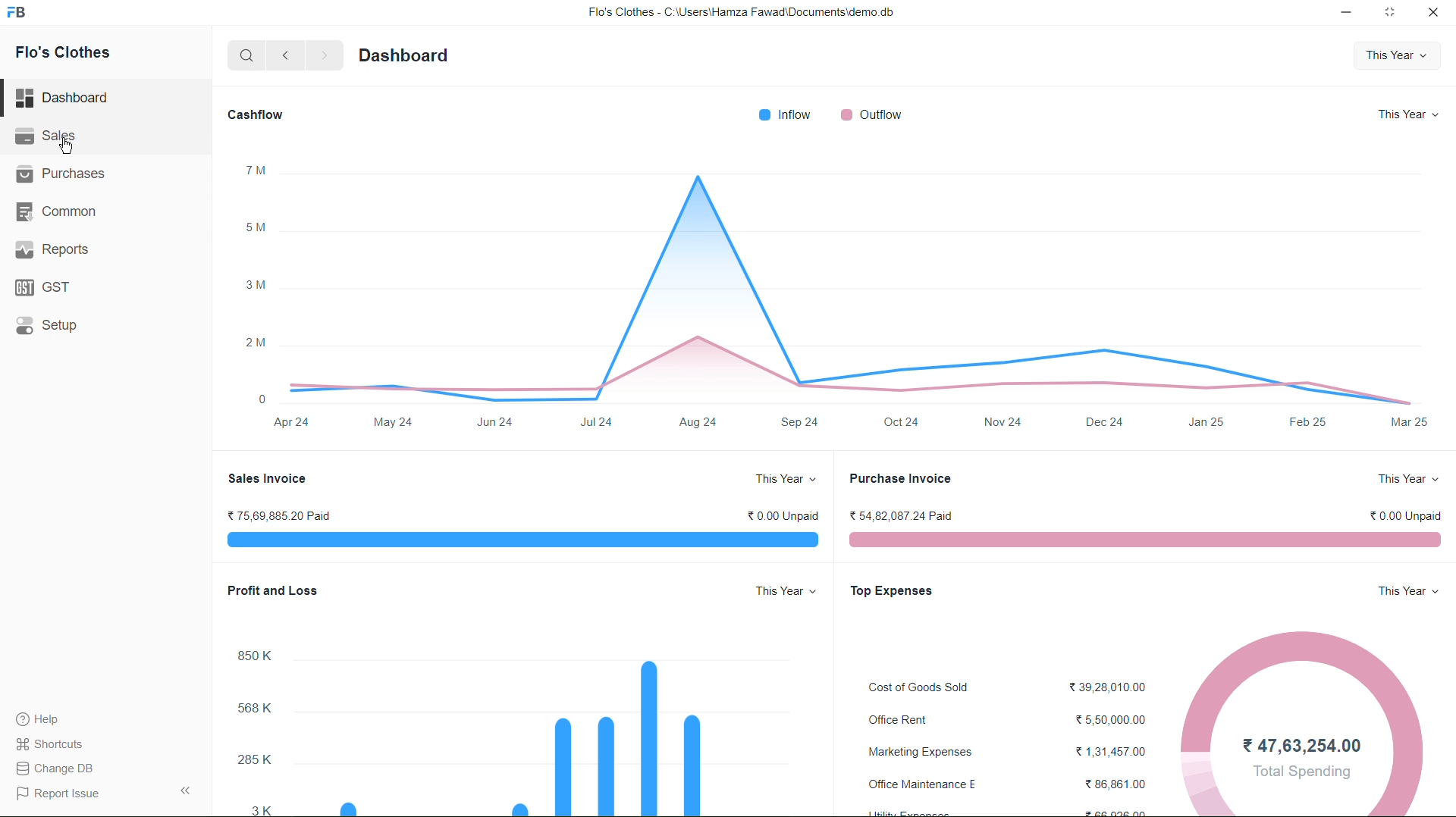 This screenshot has height=817, width=1456. What do you see at coordinates (700, 422) in the screenshot?
I see `Aug 24` at bounding box center [700, 422].